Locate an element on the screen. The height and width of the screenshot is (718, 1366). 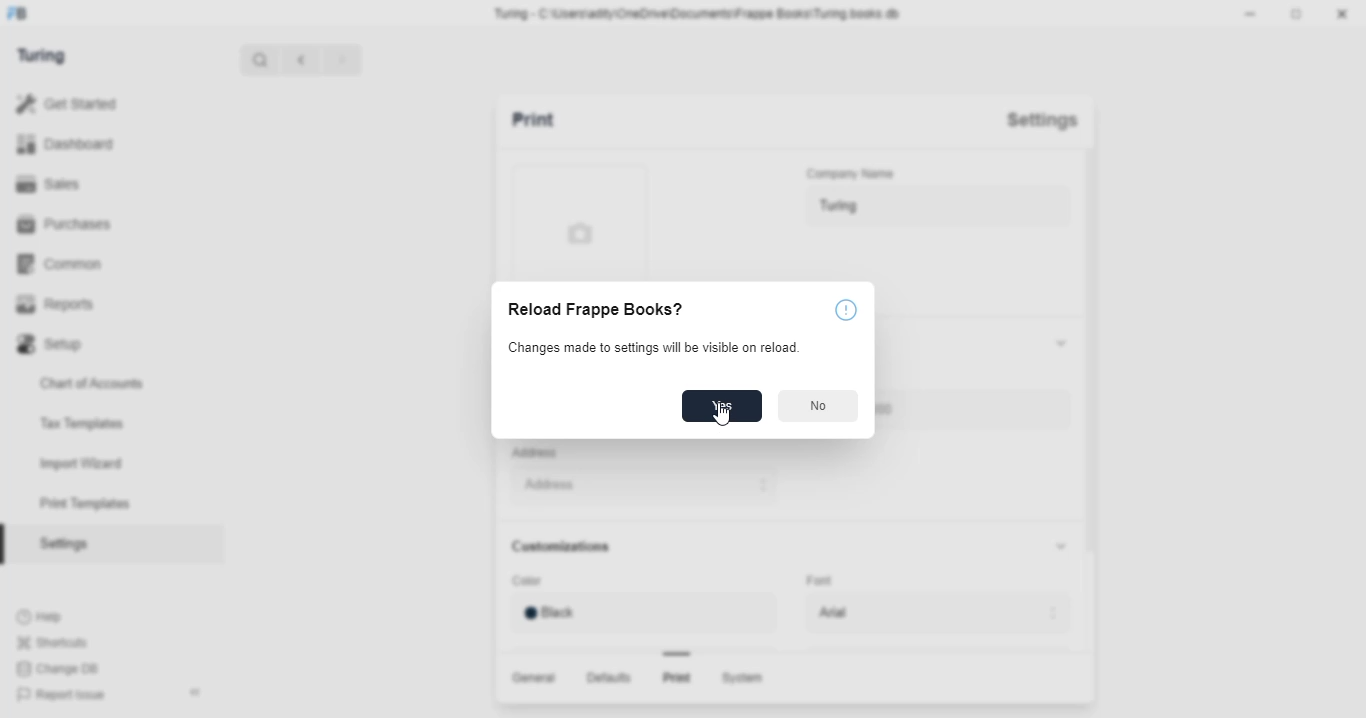
Import Wizard is located at coordinates (108, 462).